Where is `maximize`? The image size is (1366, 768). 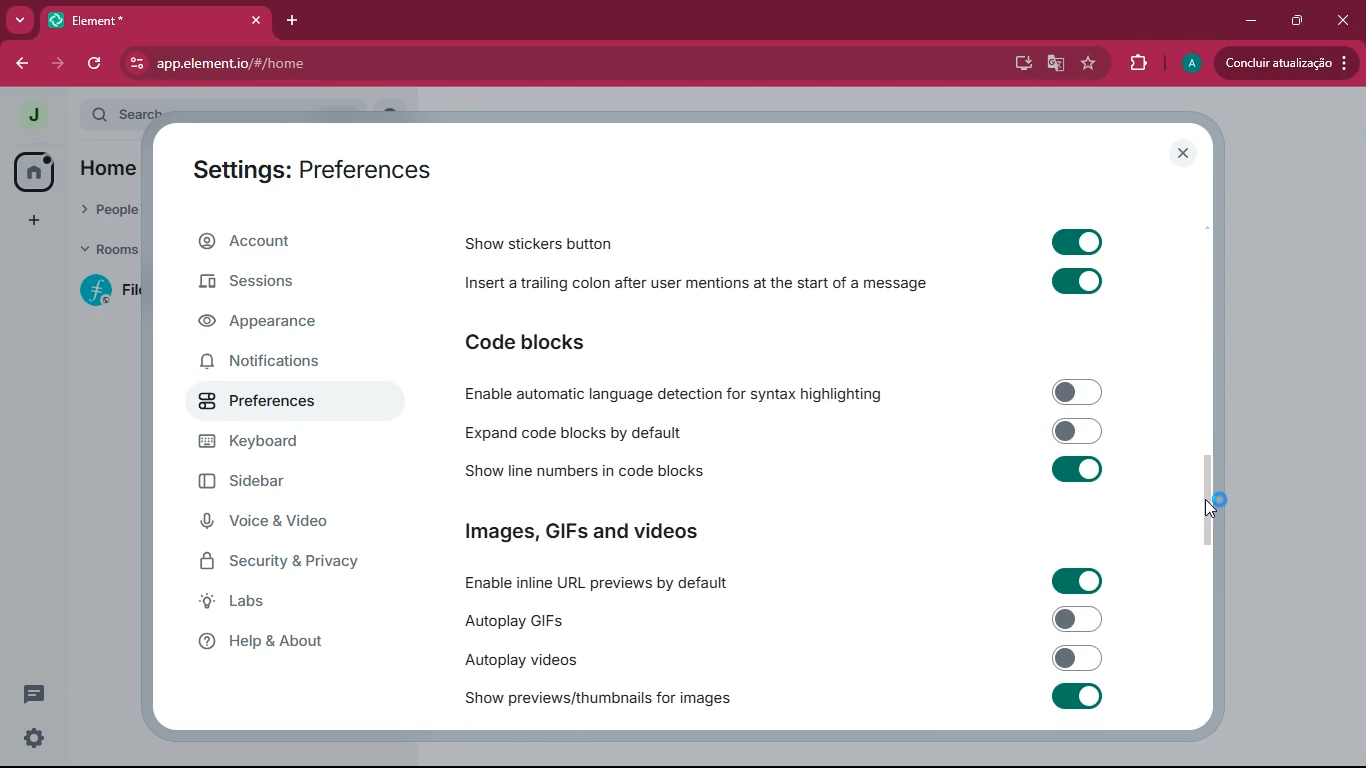 maximize is located at coordinates (1300, 22).